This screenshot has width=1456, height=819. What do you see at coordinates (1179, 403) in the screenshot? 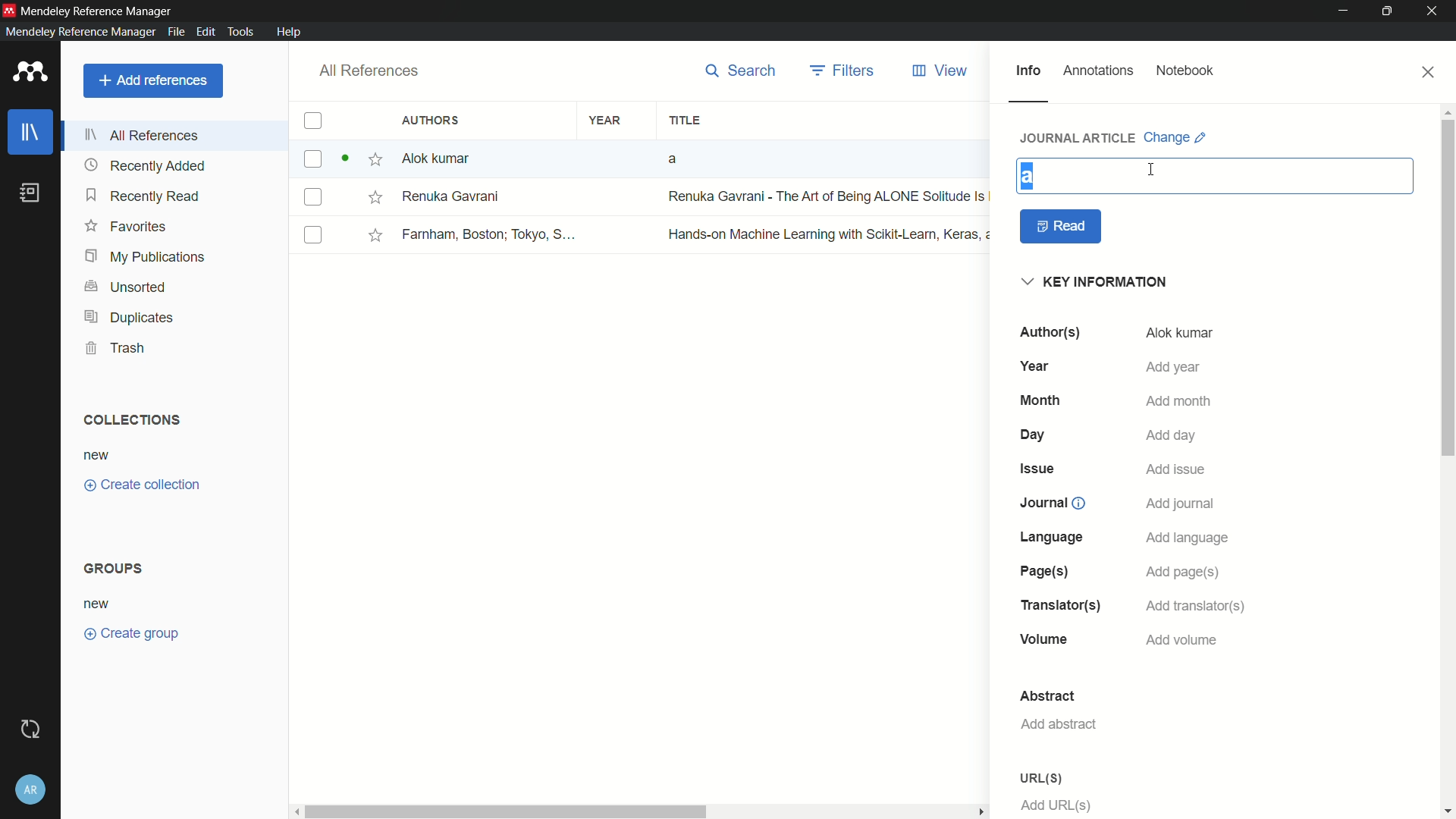
I see `add month` at bounding box center [1179, 403].